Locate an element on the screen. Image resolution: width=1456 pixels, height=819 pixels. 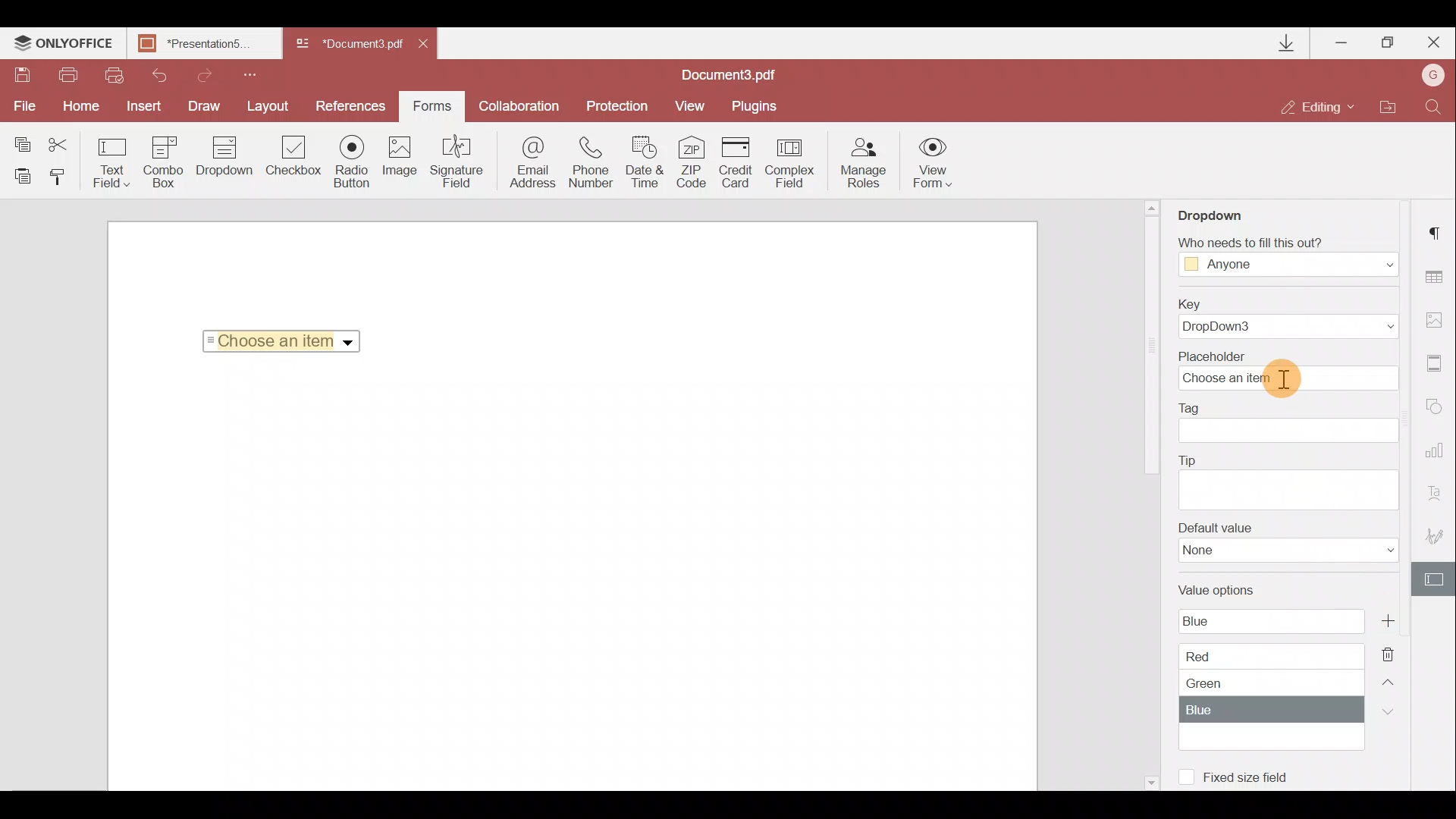
File is located at coordinates (26, 108).